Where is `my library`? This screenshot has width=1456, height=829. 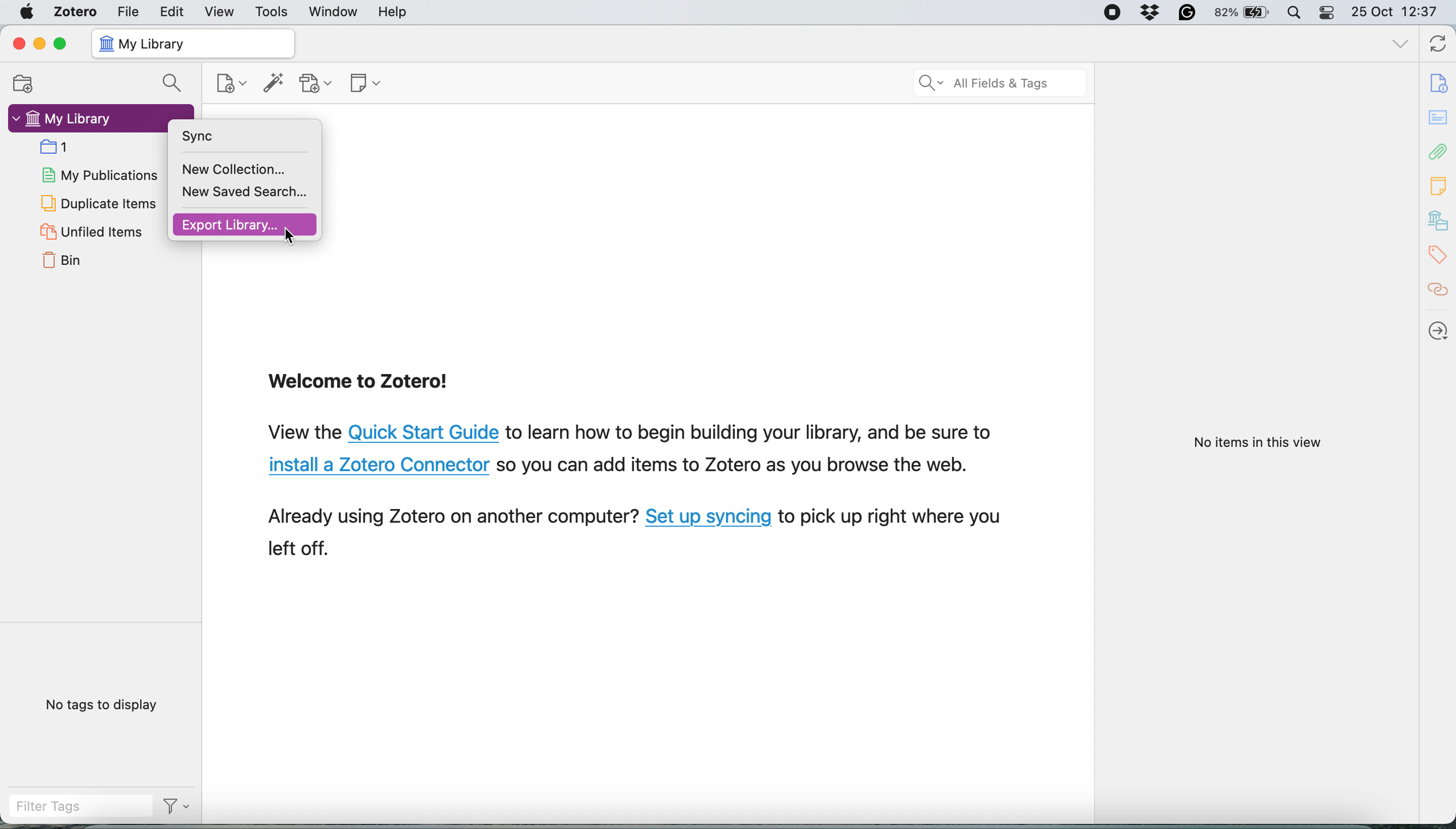 my library is located at coordinates (1439, 219).